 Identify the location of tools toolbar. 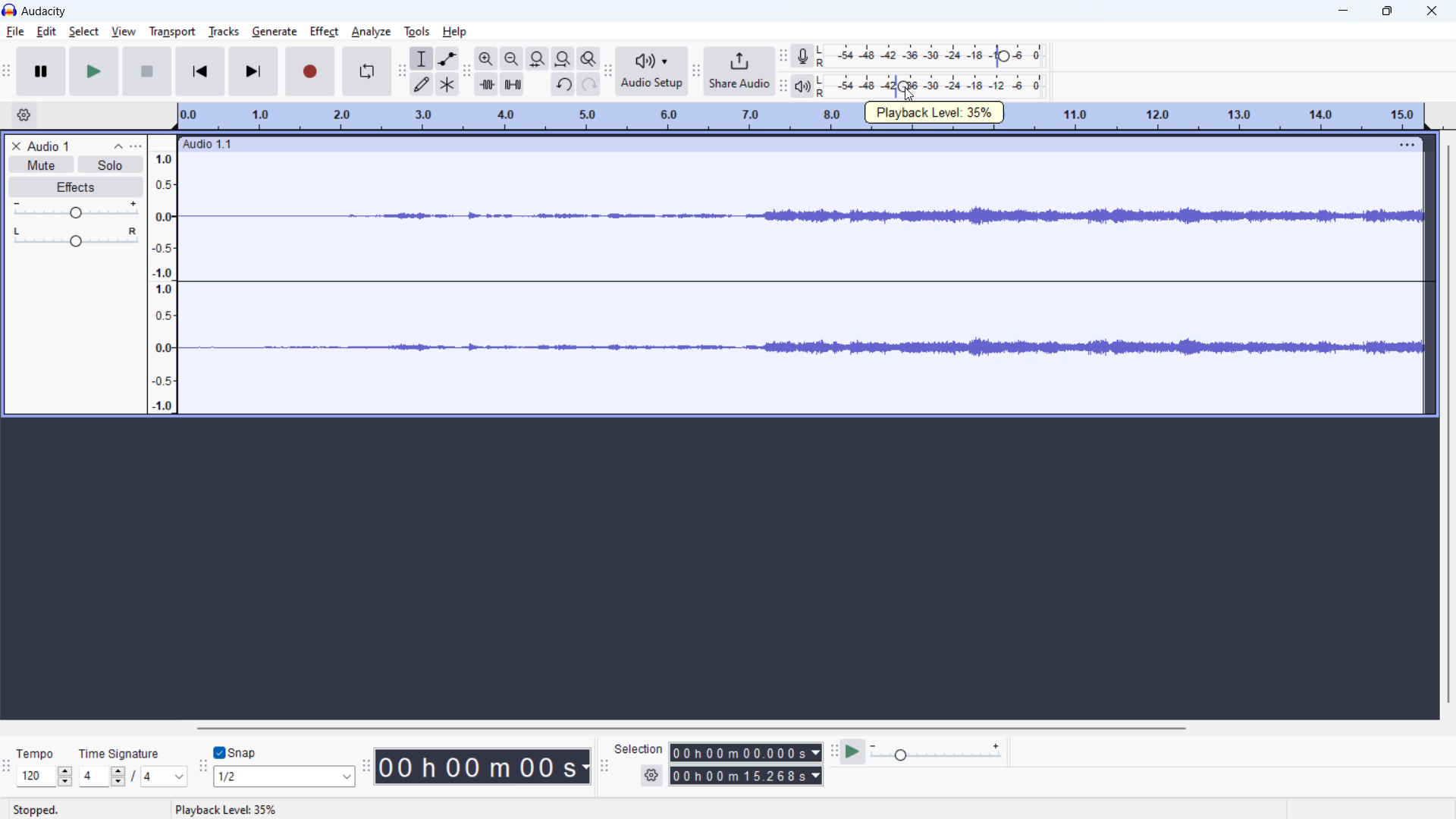
(400, 70).